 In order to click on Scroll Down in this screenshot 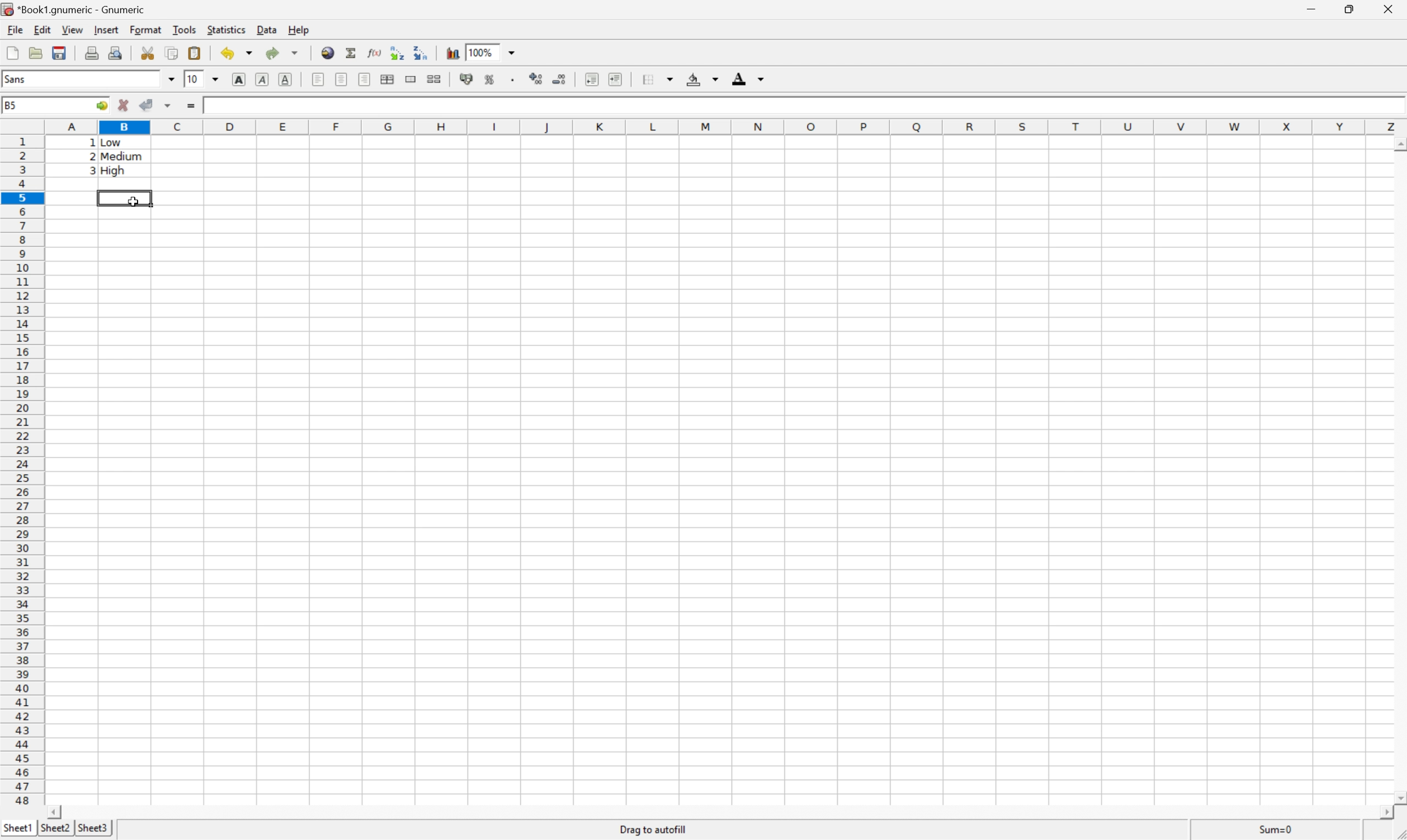, I will do `click(1398, 797)`.